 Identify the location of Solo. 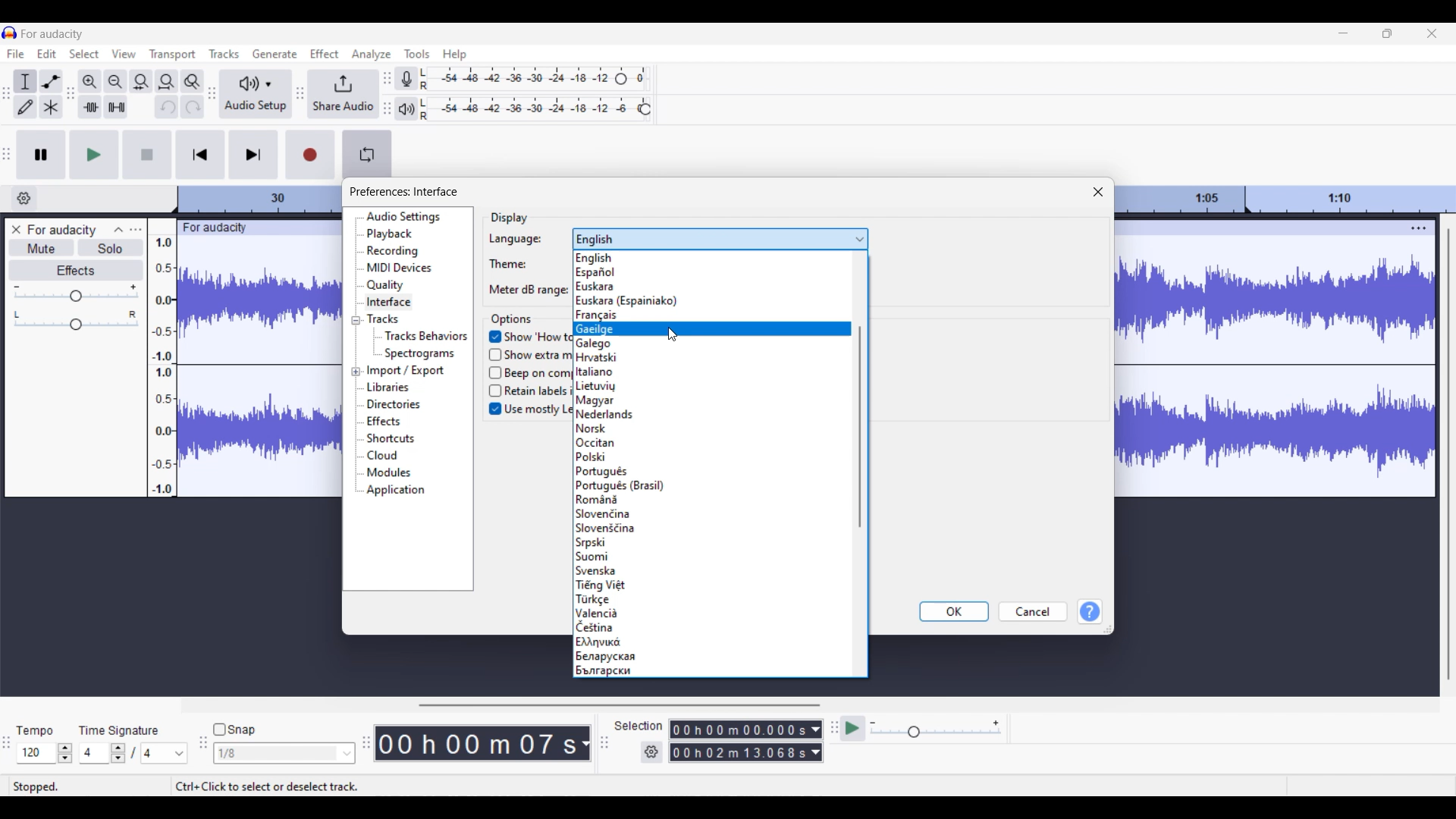
(111, 248).